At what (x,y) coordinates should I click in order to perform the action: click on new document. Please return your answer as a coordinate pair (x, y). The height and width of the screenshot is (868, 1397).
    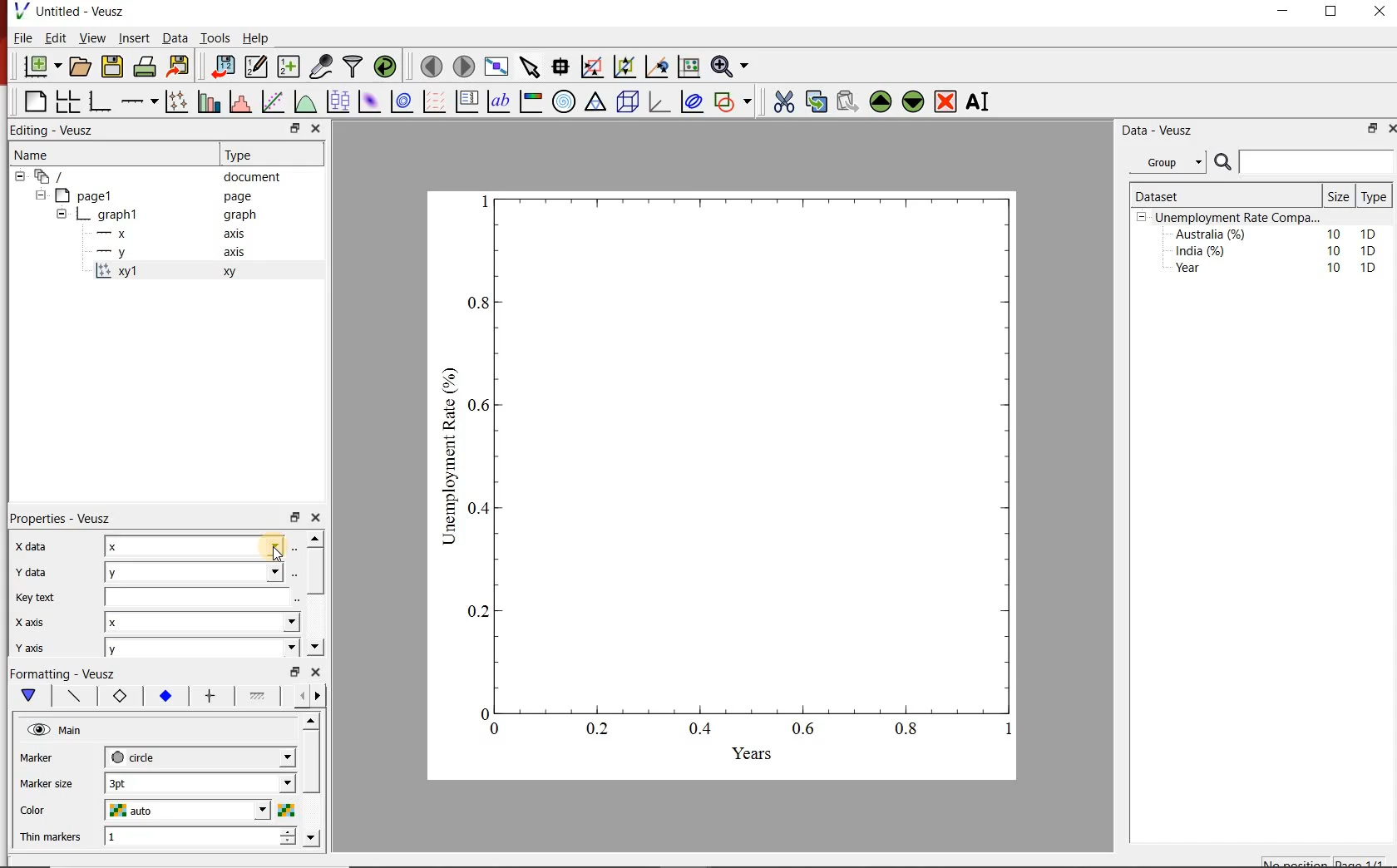
    Looking at the image, I should click on (43, 66).